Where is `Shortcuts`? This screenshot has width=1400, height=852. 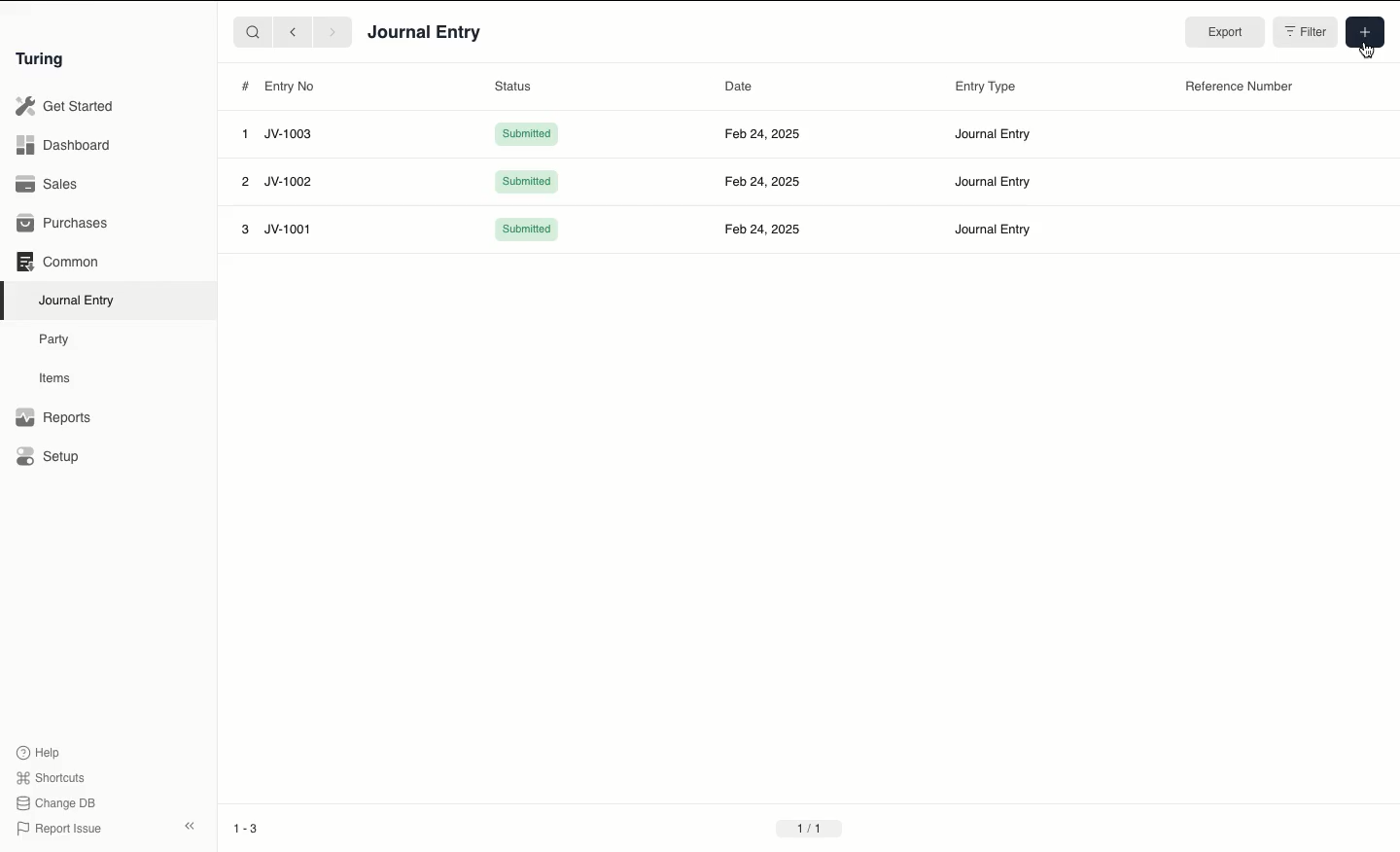 Shortcuts is located at coordinates (53, 778).